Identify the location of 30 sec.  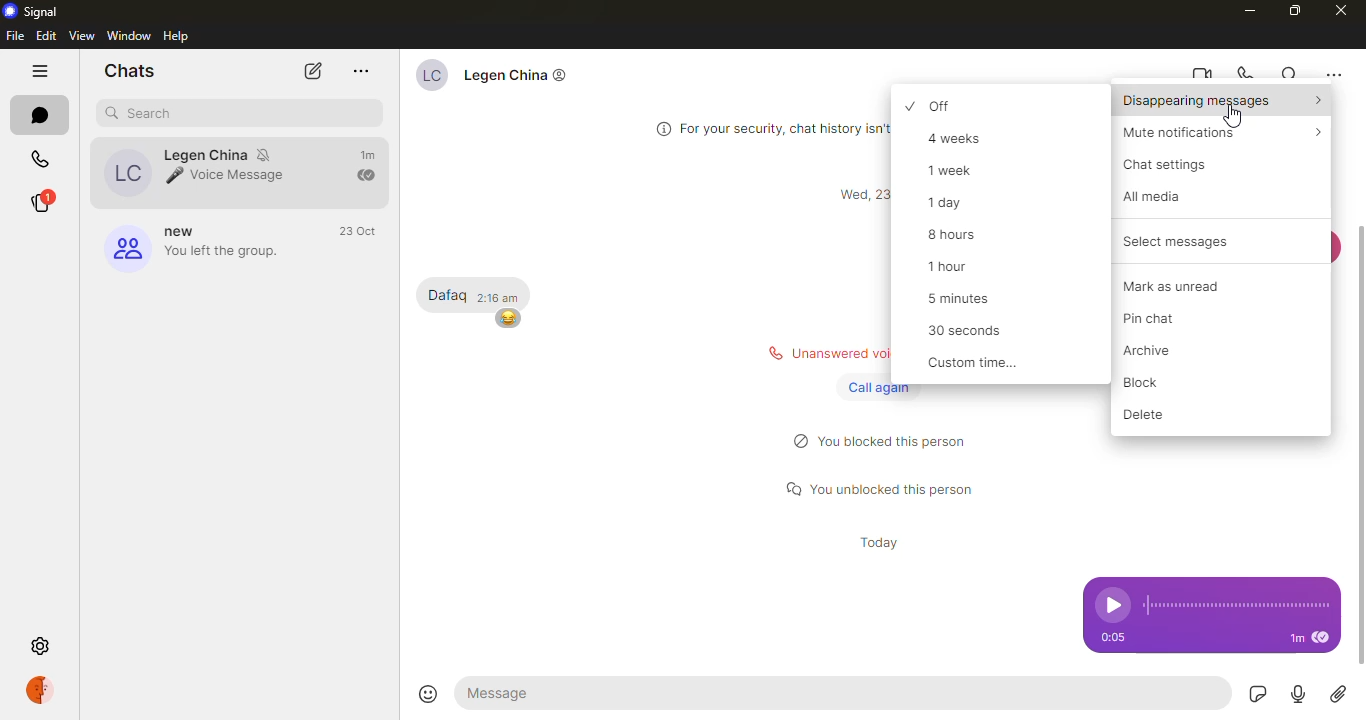
(971, 333).